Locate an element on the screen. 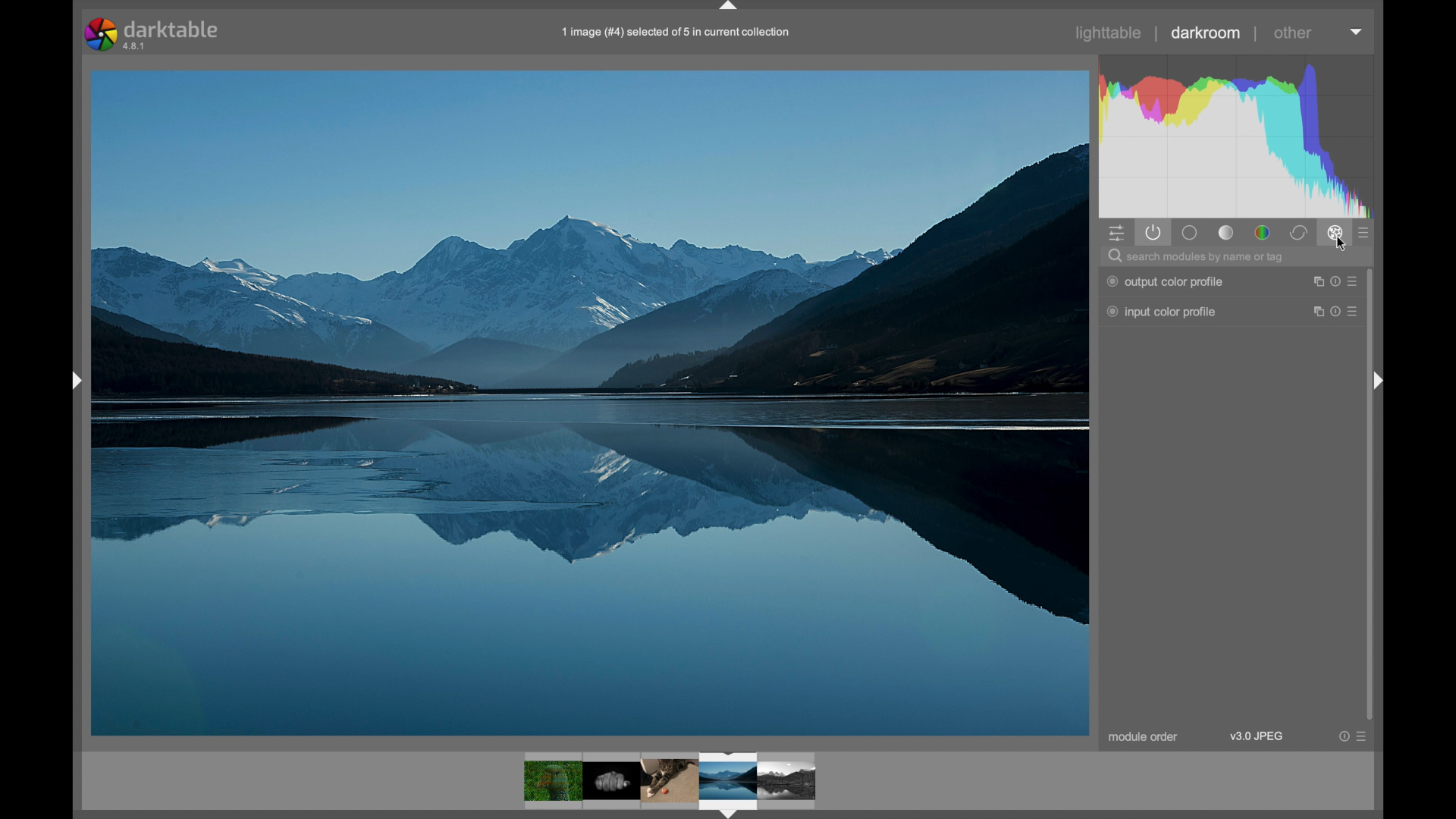 This screenshot has height=819, width=1456. drag handle is located at coordinates (730, 7).